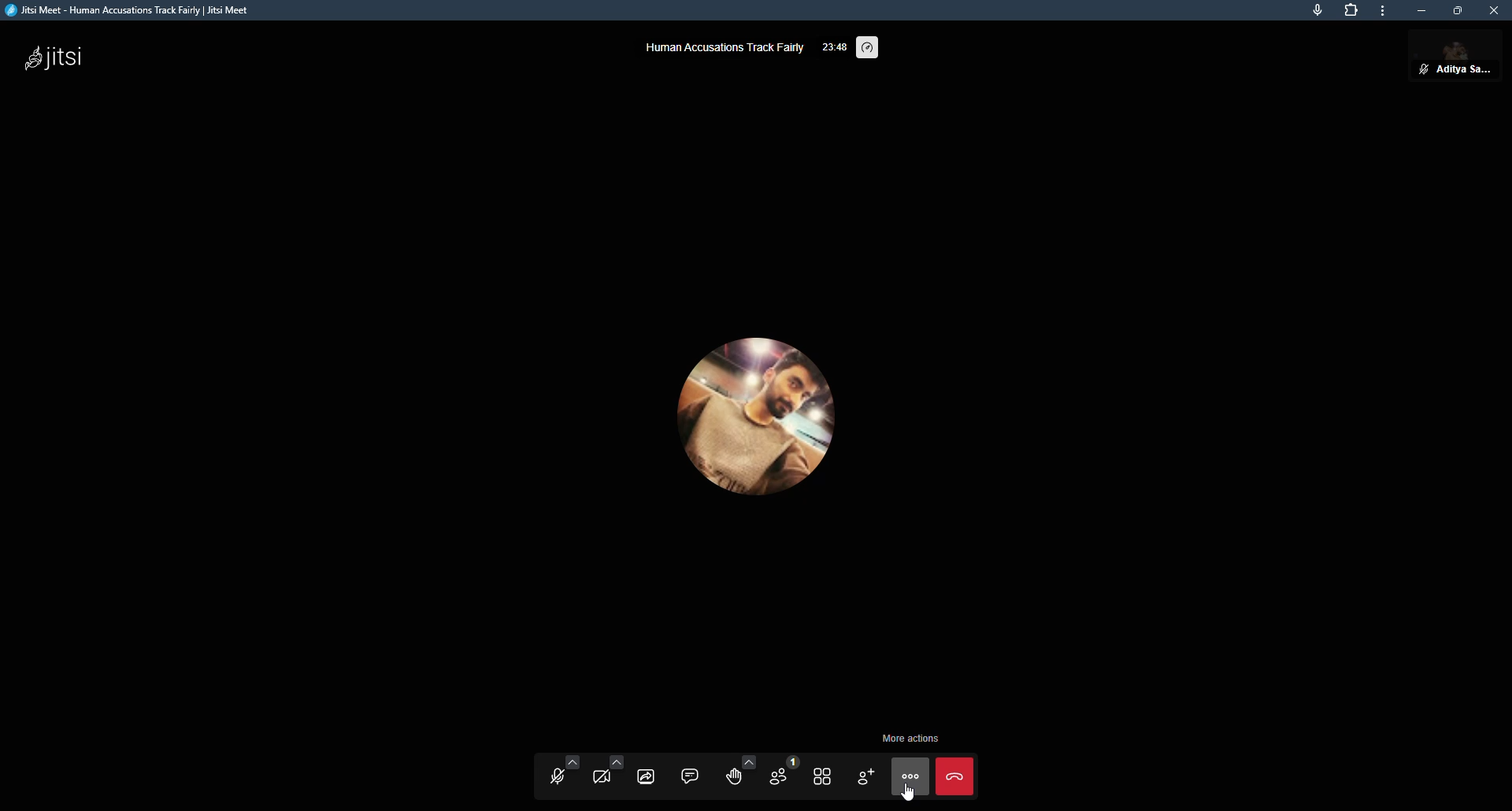 The height and width of the screenshot is (811, 1512). Describe the element at coordinates (135, 10) in the screenshot. I see `jitsi` at that location.